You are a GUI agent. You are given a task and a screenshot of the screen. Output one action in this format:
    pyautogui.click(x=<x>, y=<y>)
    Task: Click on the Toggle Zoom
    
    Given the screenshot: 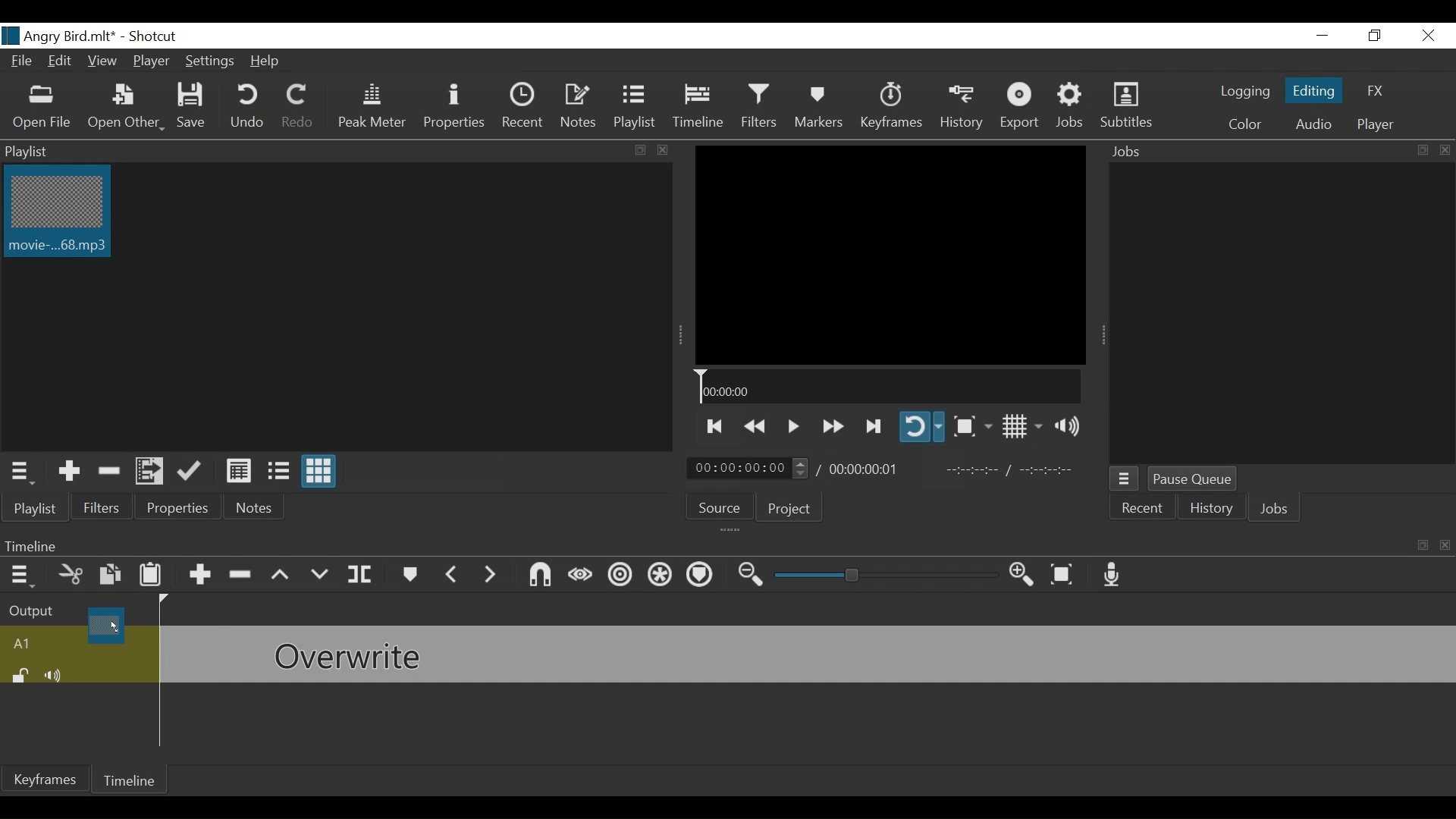 What is the action you would take?
    pyautogui.click(x=972, y=425)
    